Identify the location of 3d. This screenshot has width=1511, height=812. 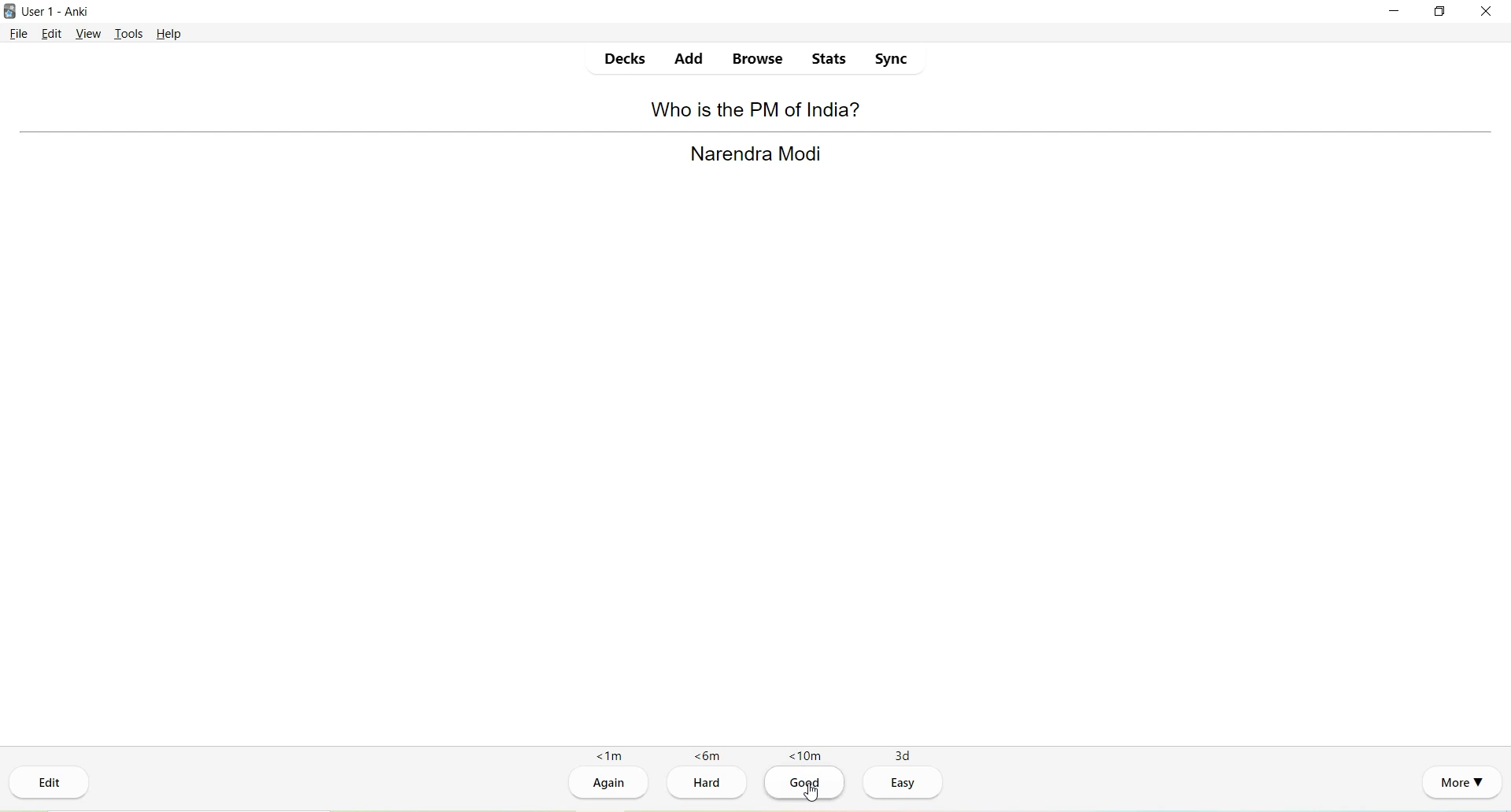
(906, 755).